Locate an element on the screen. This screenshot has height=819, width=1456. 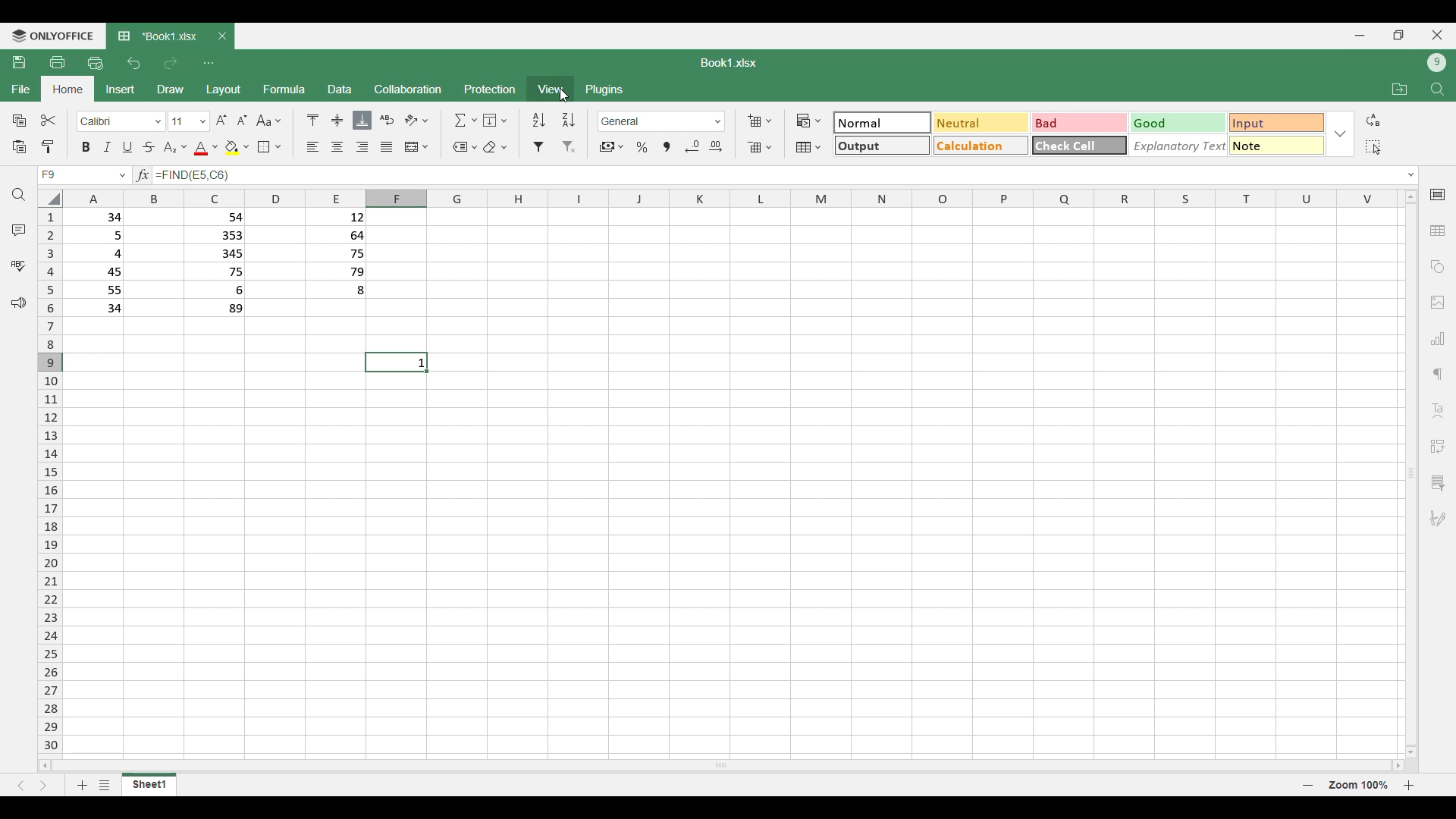
Right alignment is located at coordinates (362, 146).